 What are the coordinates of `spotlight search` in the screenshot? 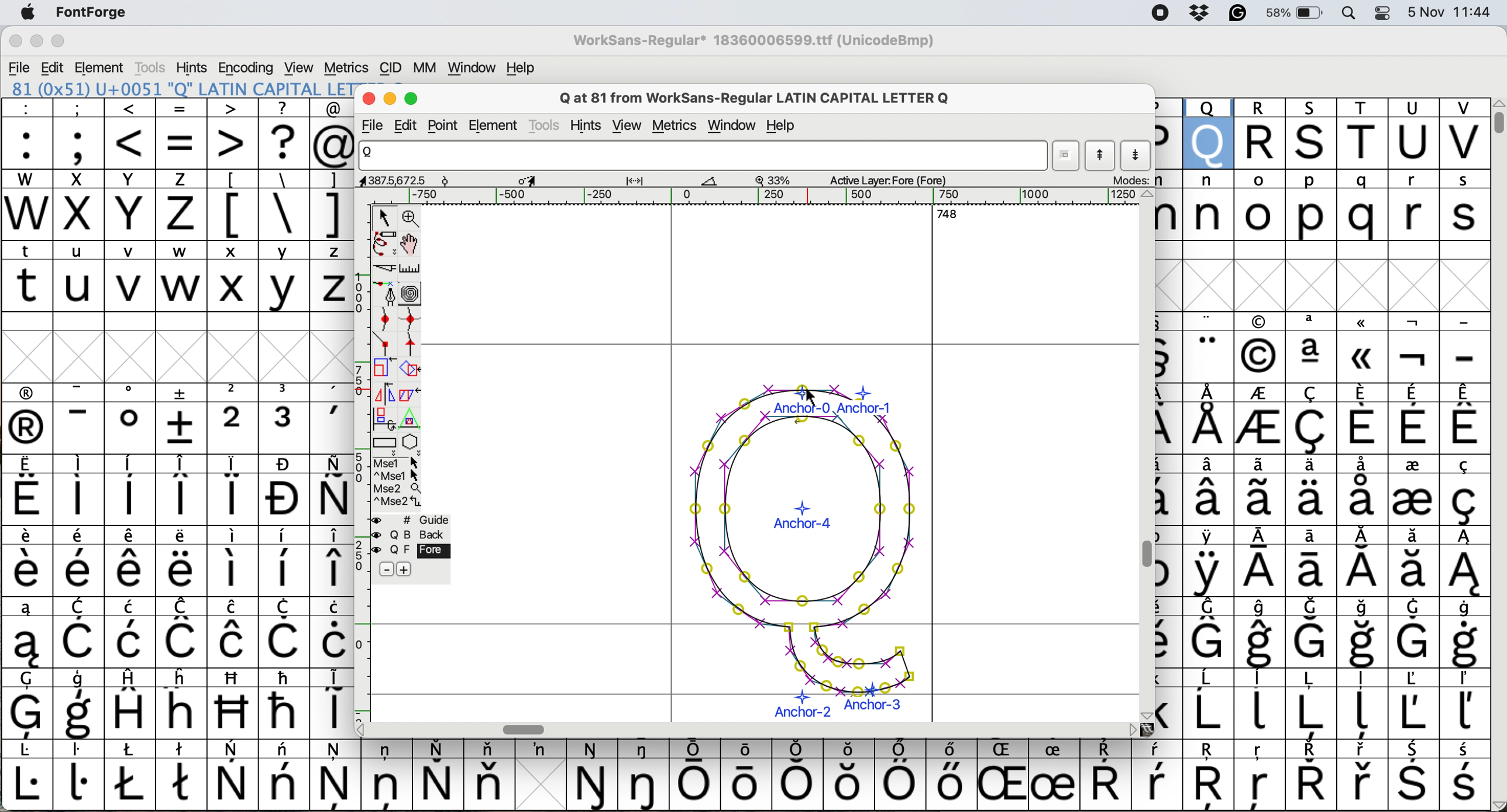 It's located at (1352, 14).